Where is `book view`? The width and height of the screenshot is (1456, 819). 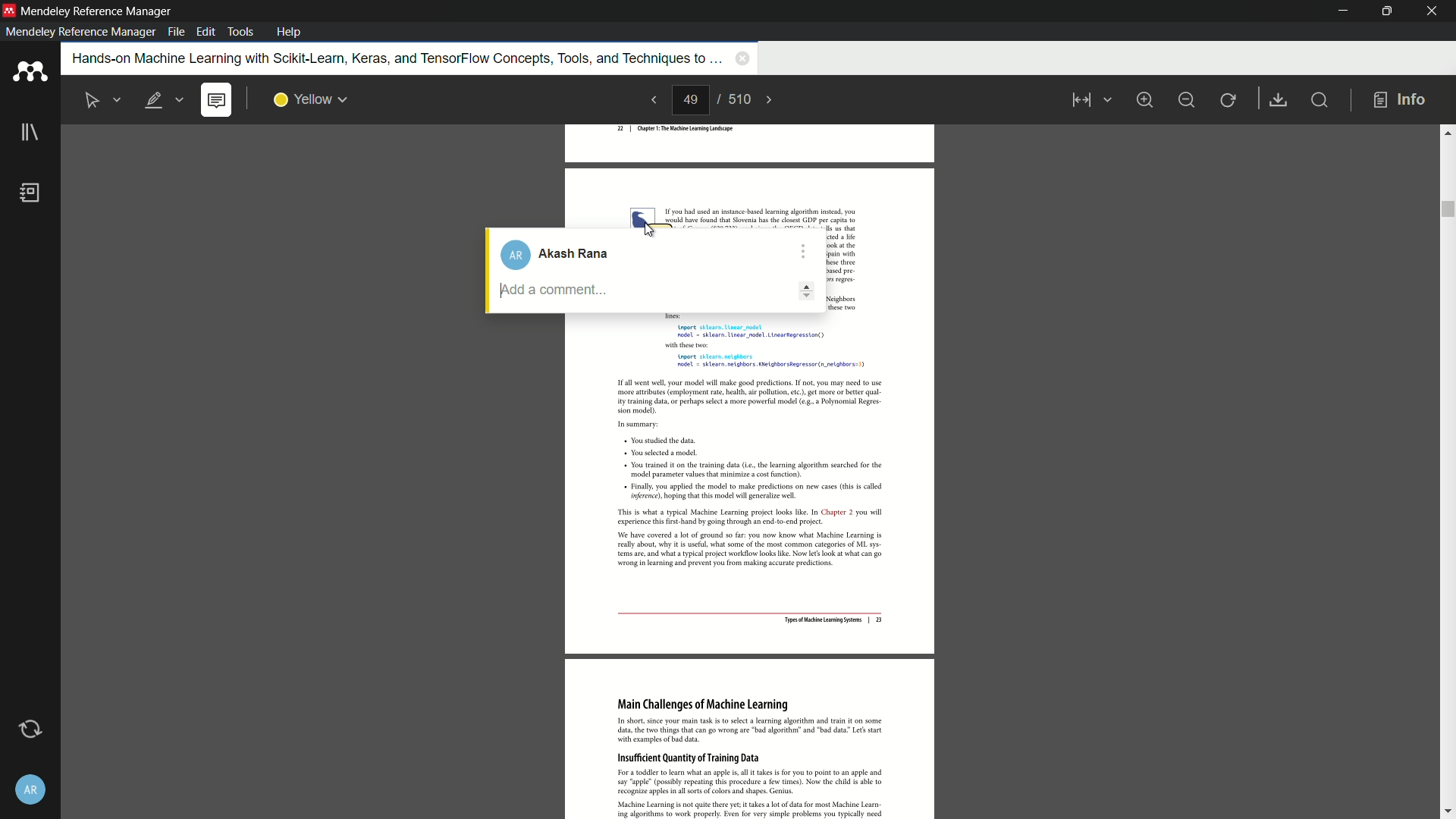 book view is located at coordinates (1087, 102).